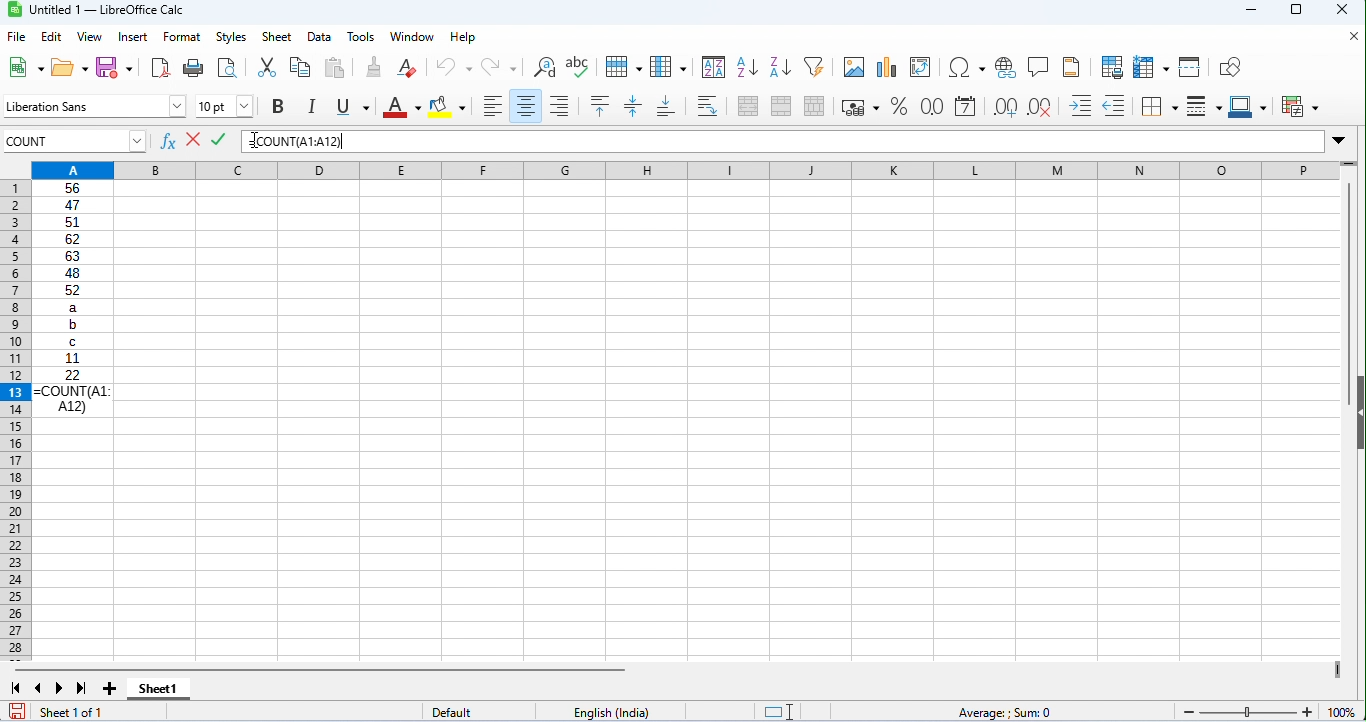 This screenshot has height=722, width=1366. Describe the element at coordinates (746, 68) in the screenshot. I see `sort ascending` at that location.